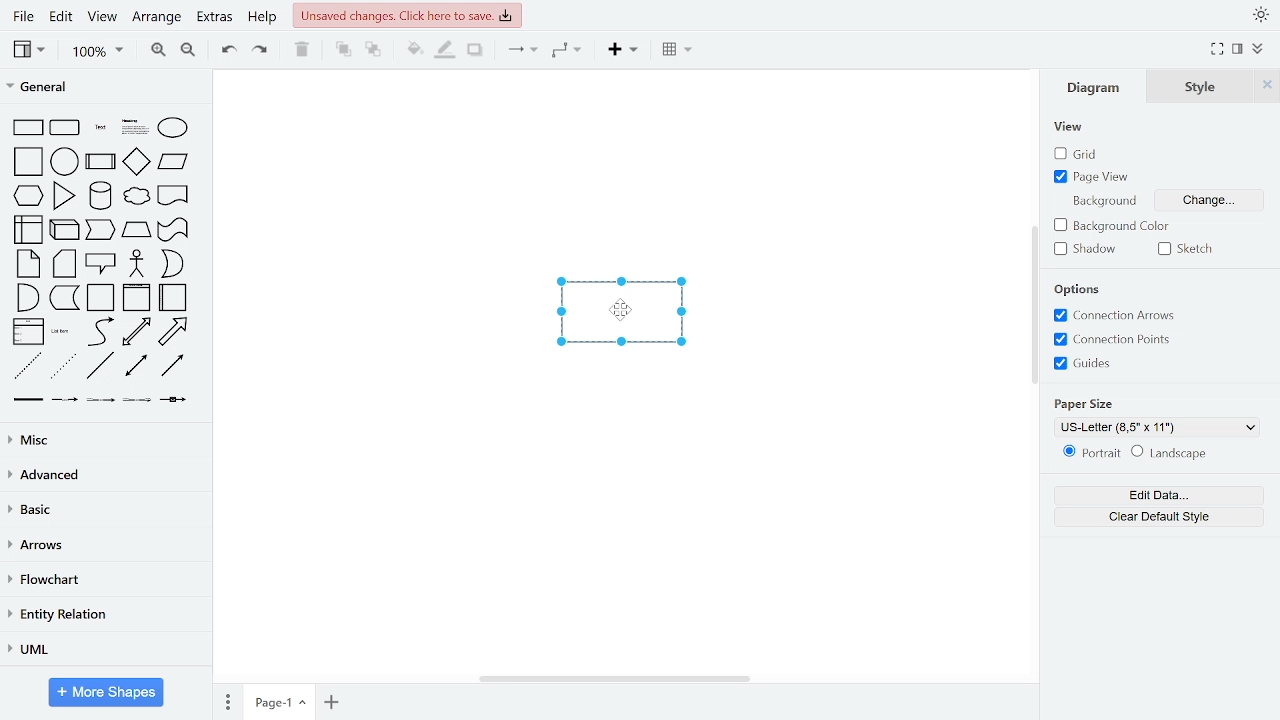 The image size is (1280, 720). I want to click on landscape, so click(1173, 454).